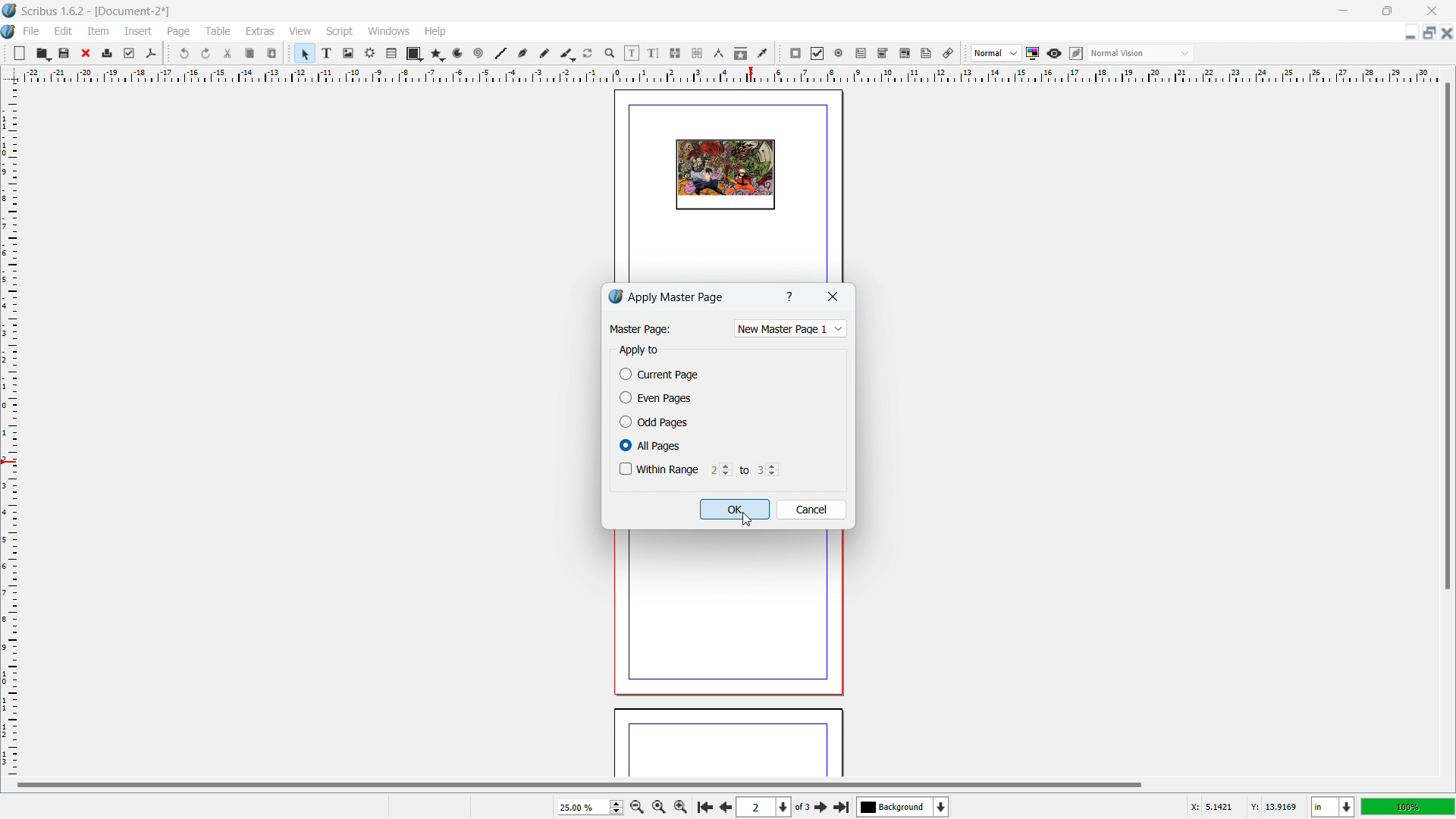  I want to click on ok, so click(735, 510).